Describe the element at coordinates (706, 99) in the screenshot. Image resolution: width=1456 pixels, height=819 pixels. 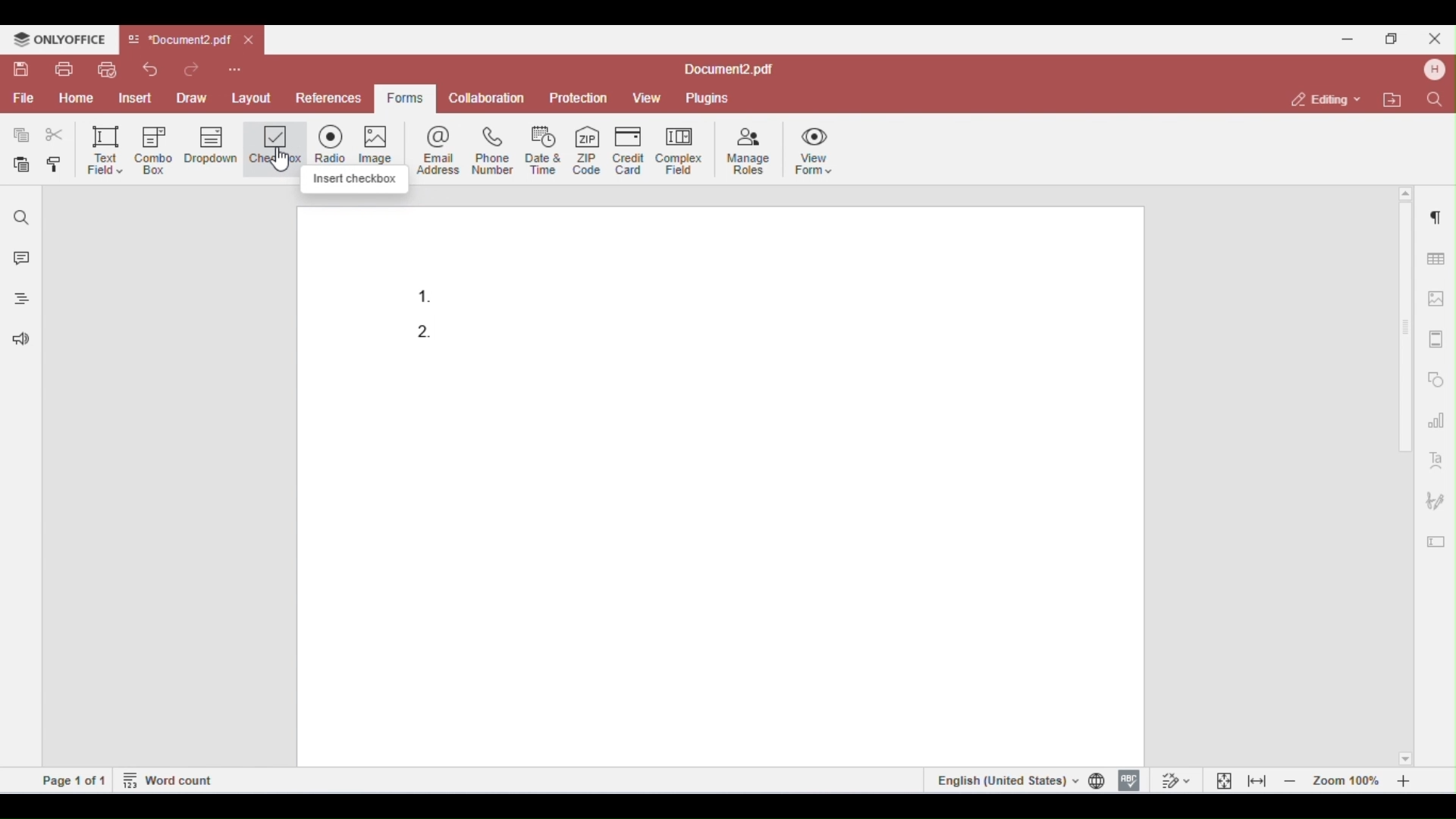
I see `plugins` at that location.